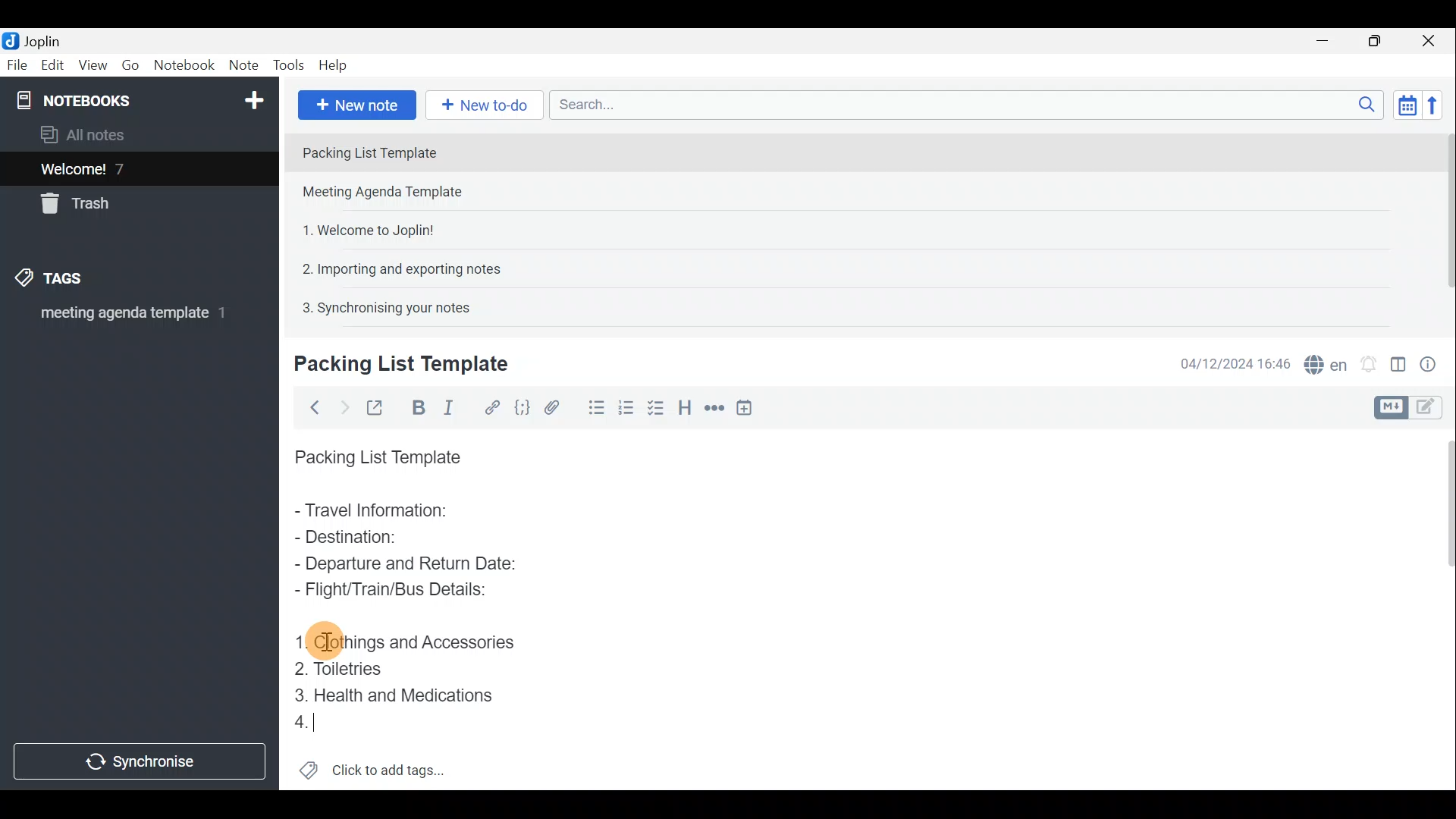 The height and width of the screenshot is (819, 1456). What do you see at coordinates (962, 106) in the screenshot?
I see `Search bar` at bounding box center [962, 106].